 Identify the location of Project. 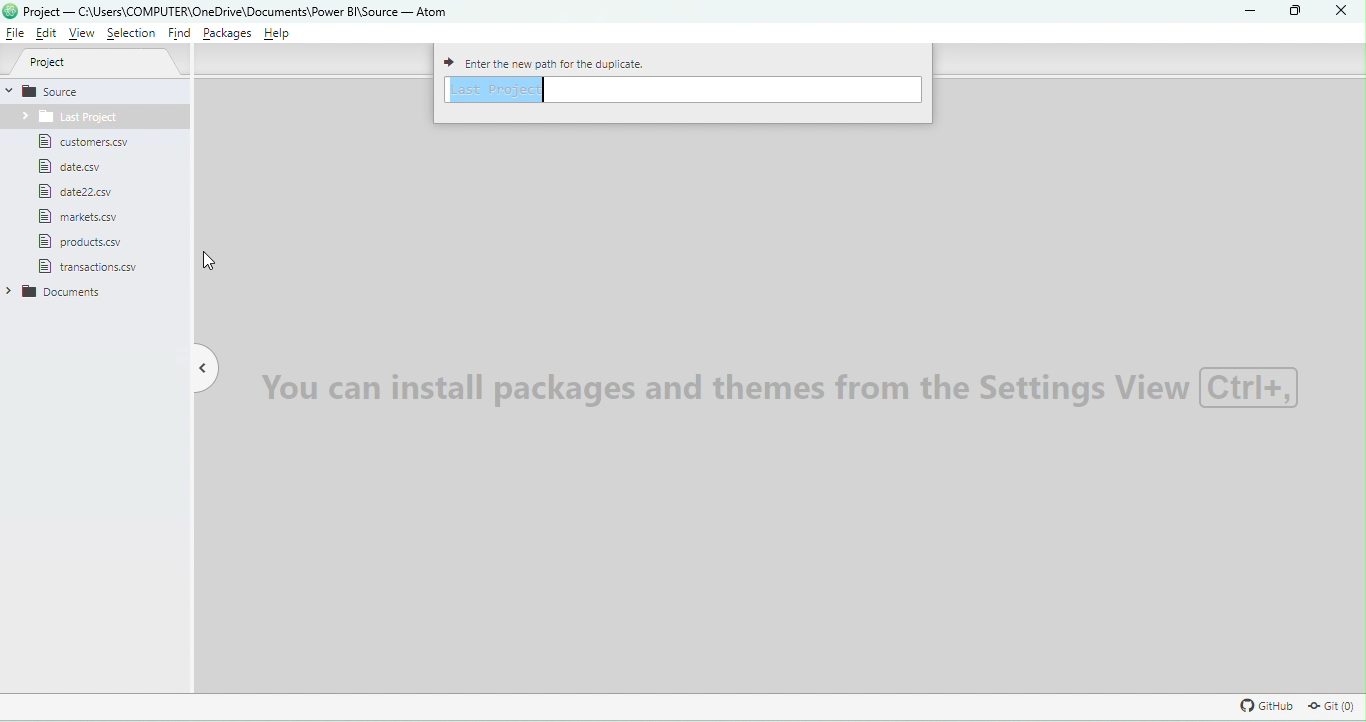
(97, 63).